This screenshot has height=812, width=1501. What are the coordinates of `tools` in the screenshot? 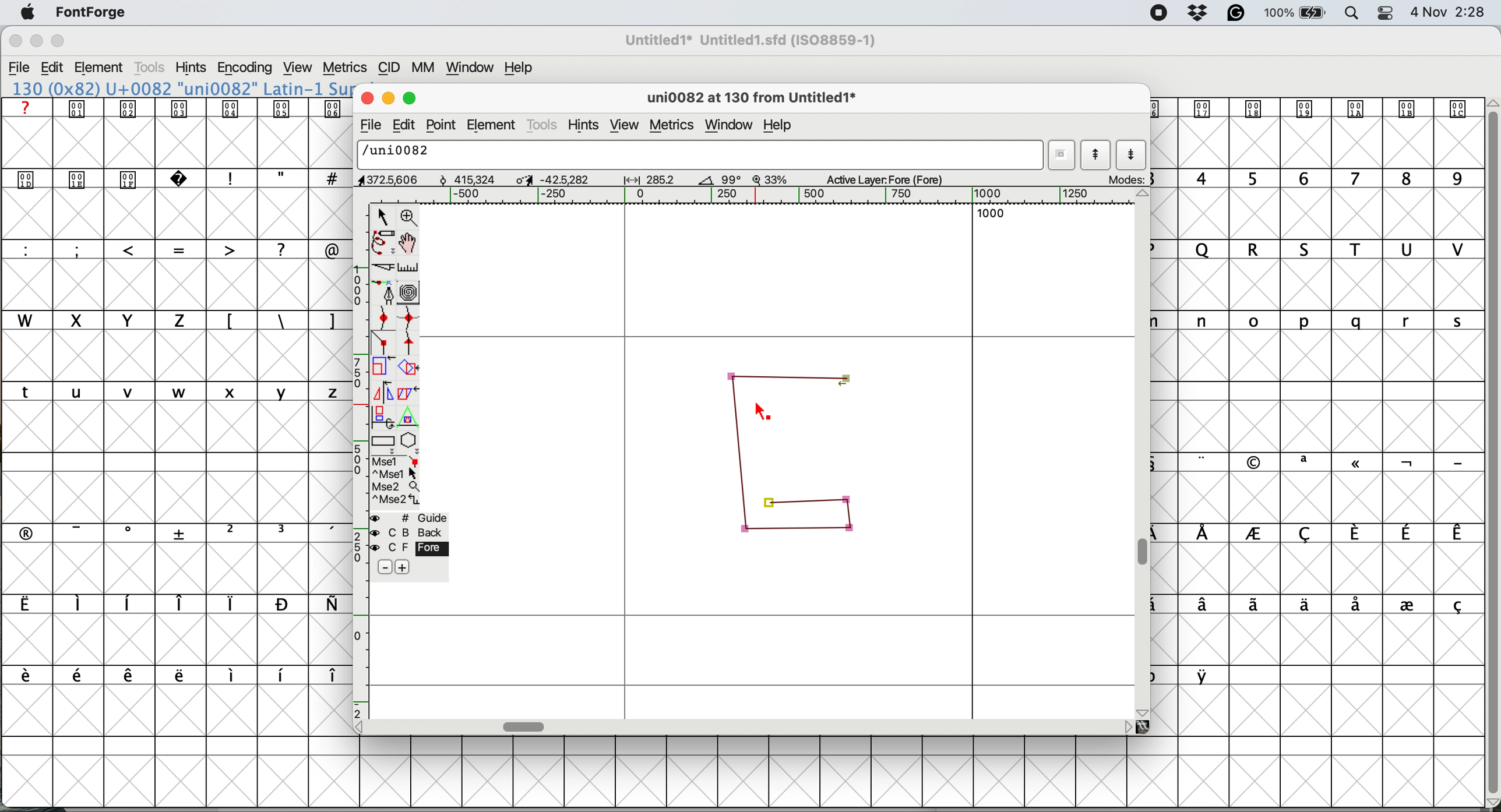 It's located at (152, 68).